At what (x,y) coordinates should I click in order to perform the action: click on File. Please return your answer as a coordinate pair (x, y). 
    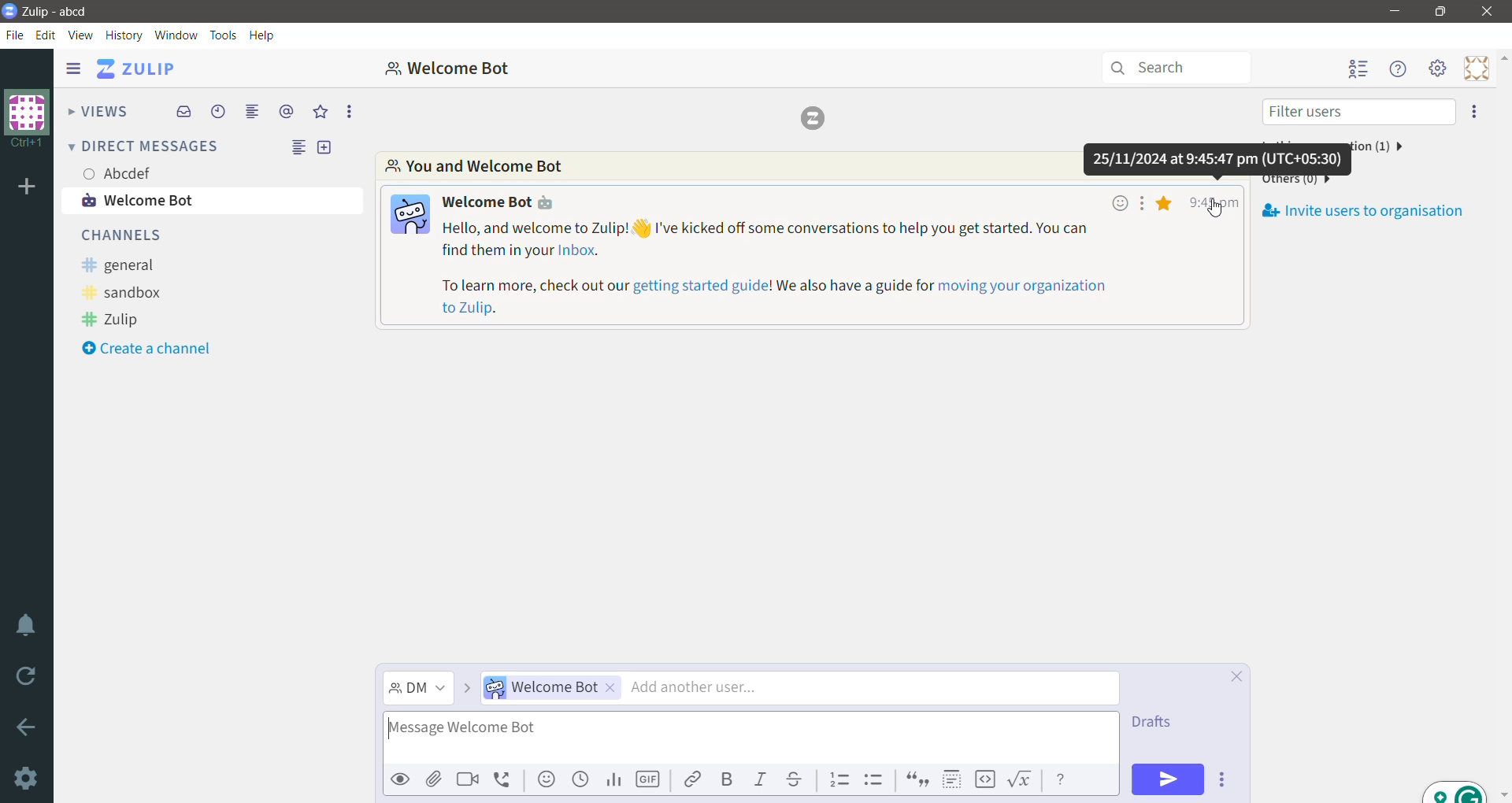
    Looking at the image, I should click on (15, 35).